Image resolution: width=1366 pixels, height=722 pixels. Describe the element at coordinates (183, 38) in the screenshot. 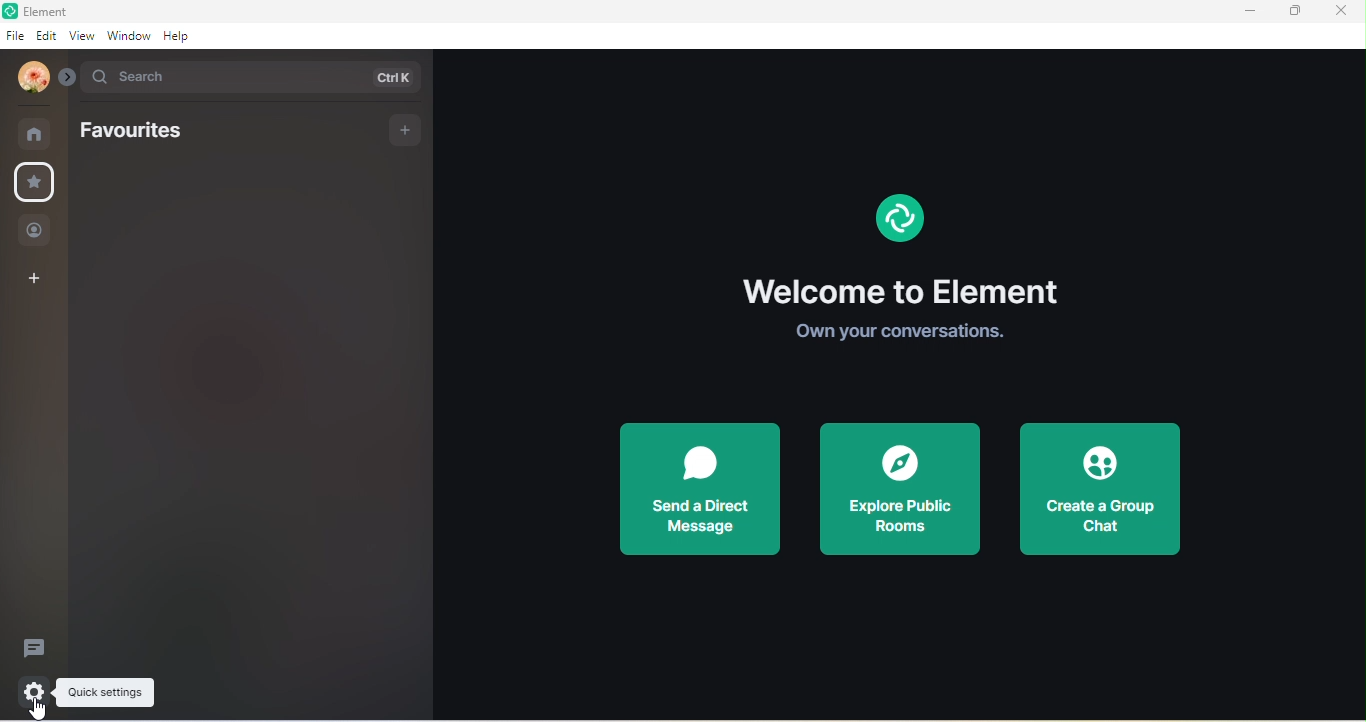

I see `help` at that location.